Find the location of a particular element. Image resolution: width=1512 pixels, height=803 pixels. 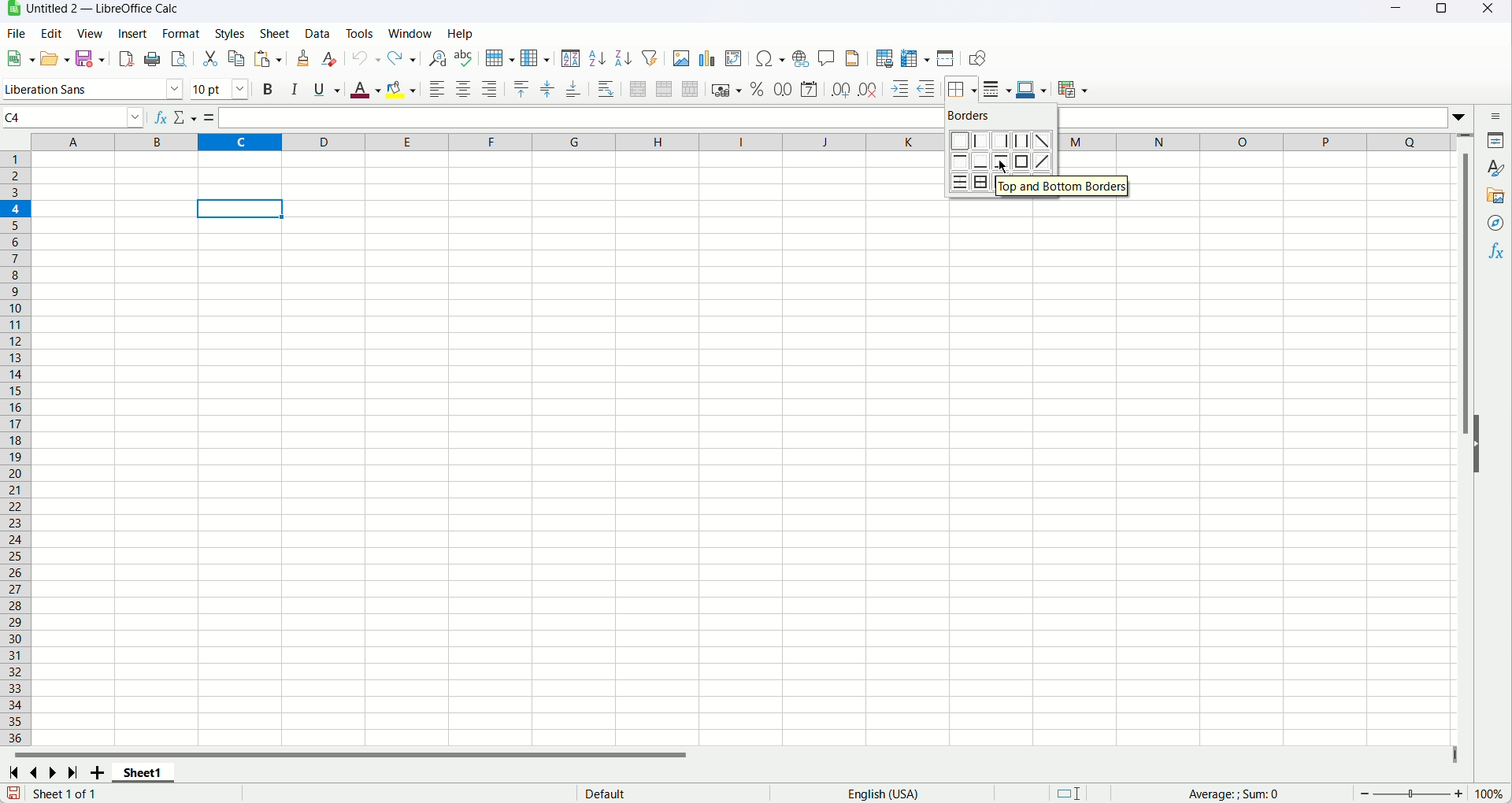

Save is located at coordinates (89, 59).